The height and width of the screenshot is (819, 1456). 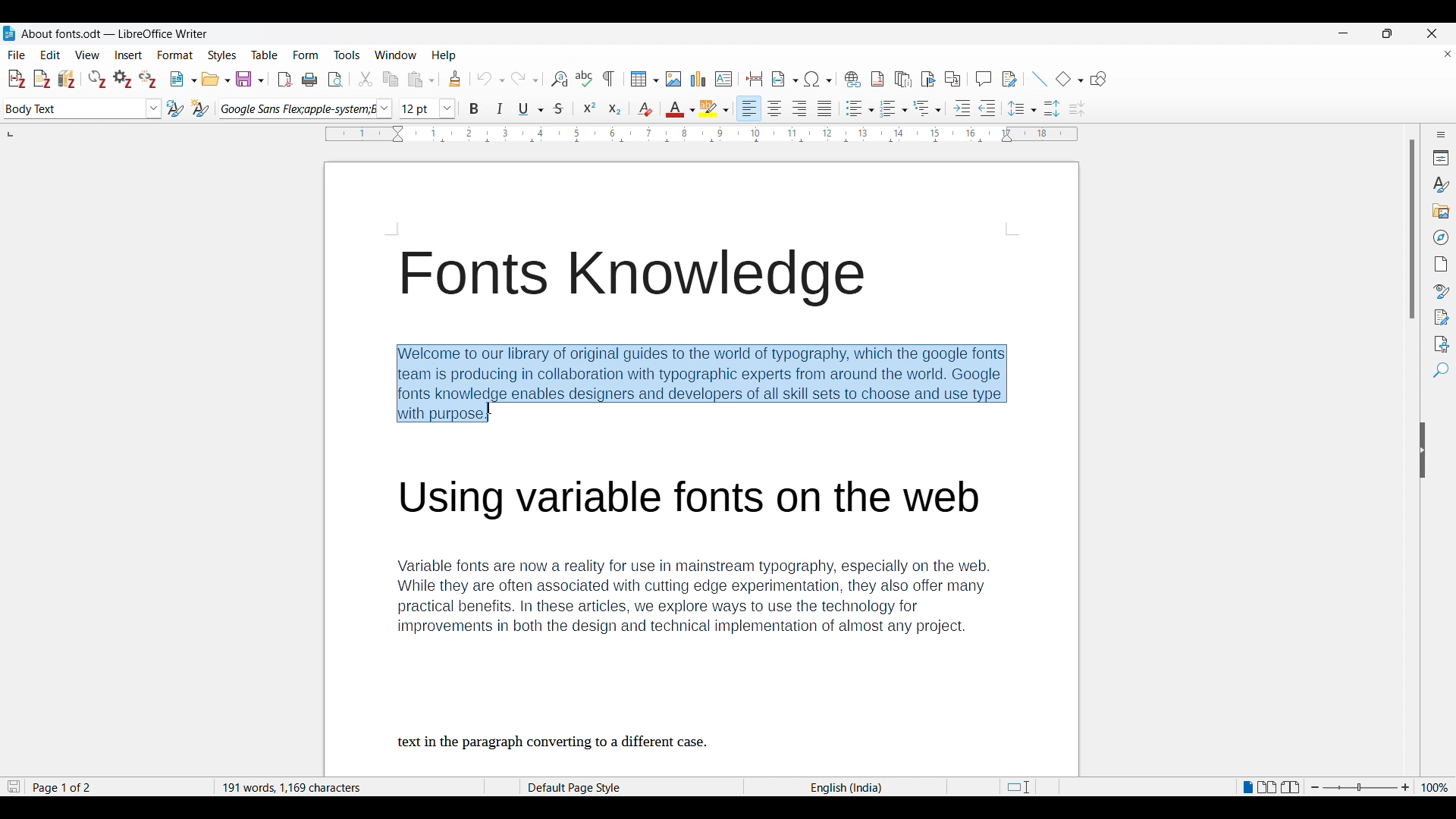 I want to click on Paste, so click(x=421, y=80).